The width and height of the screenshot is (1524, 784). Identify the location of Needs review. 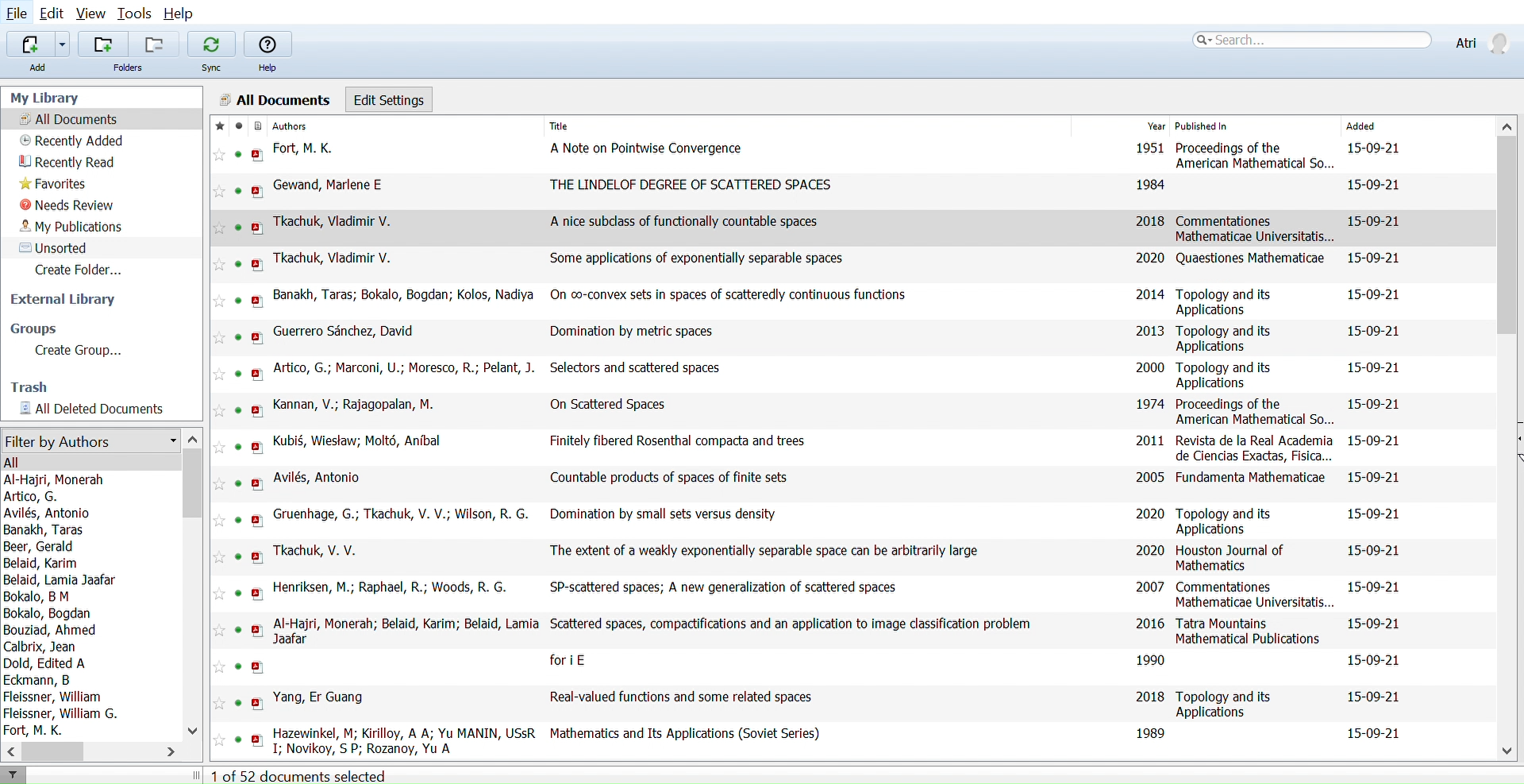
(67, 206).